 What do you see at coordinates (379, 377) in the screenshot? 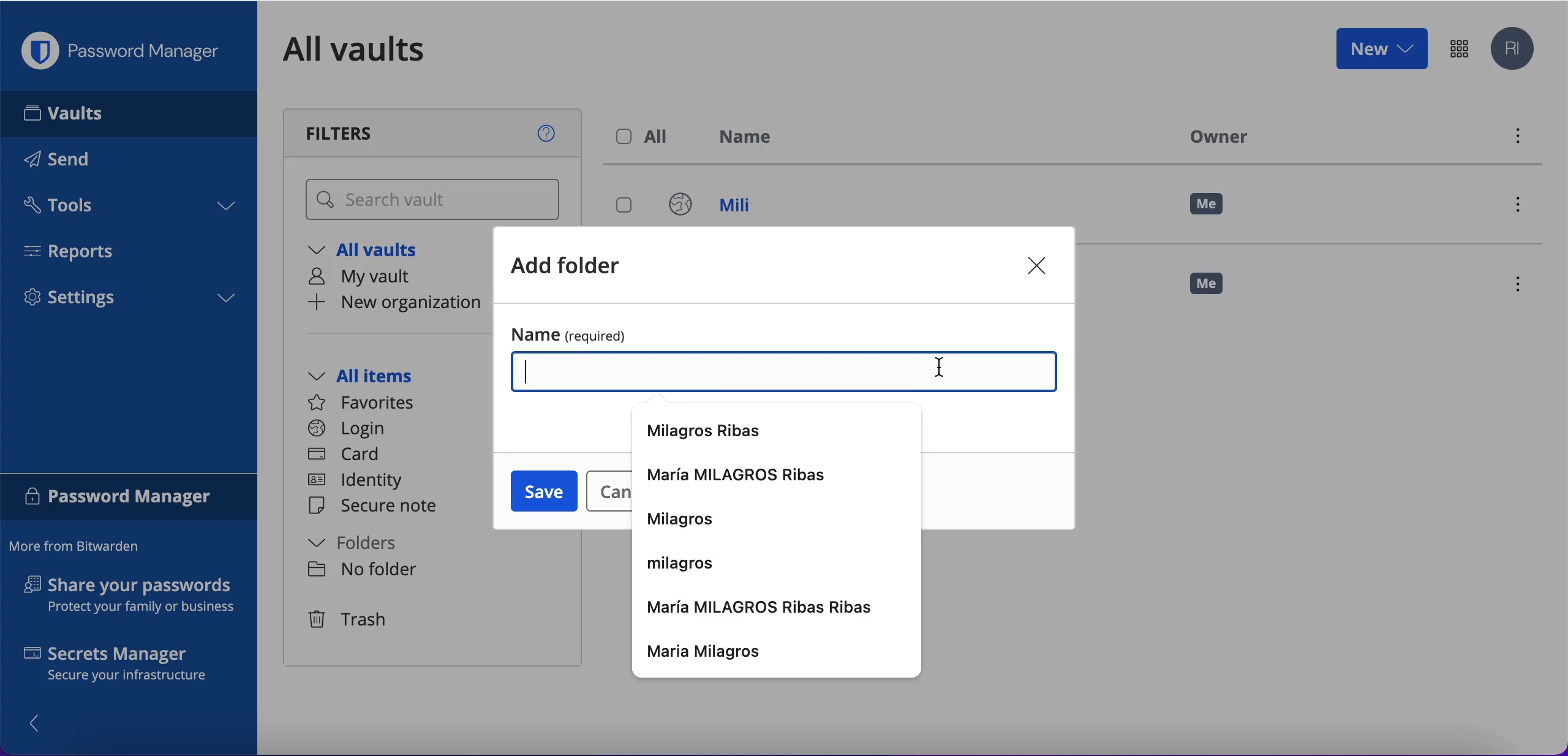
I see `all items` at bounding box center [379, 377].